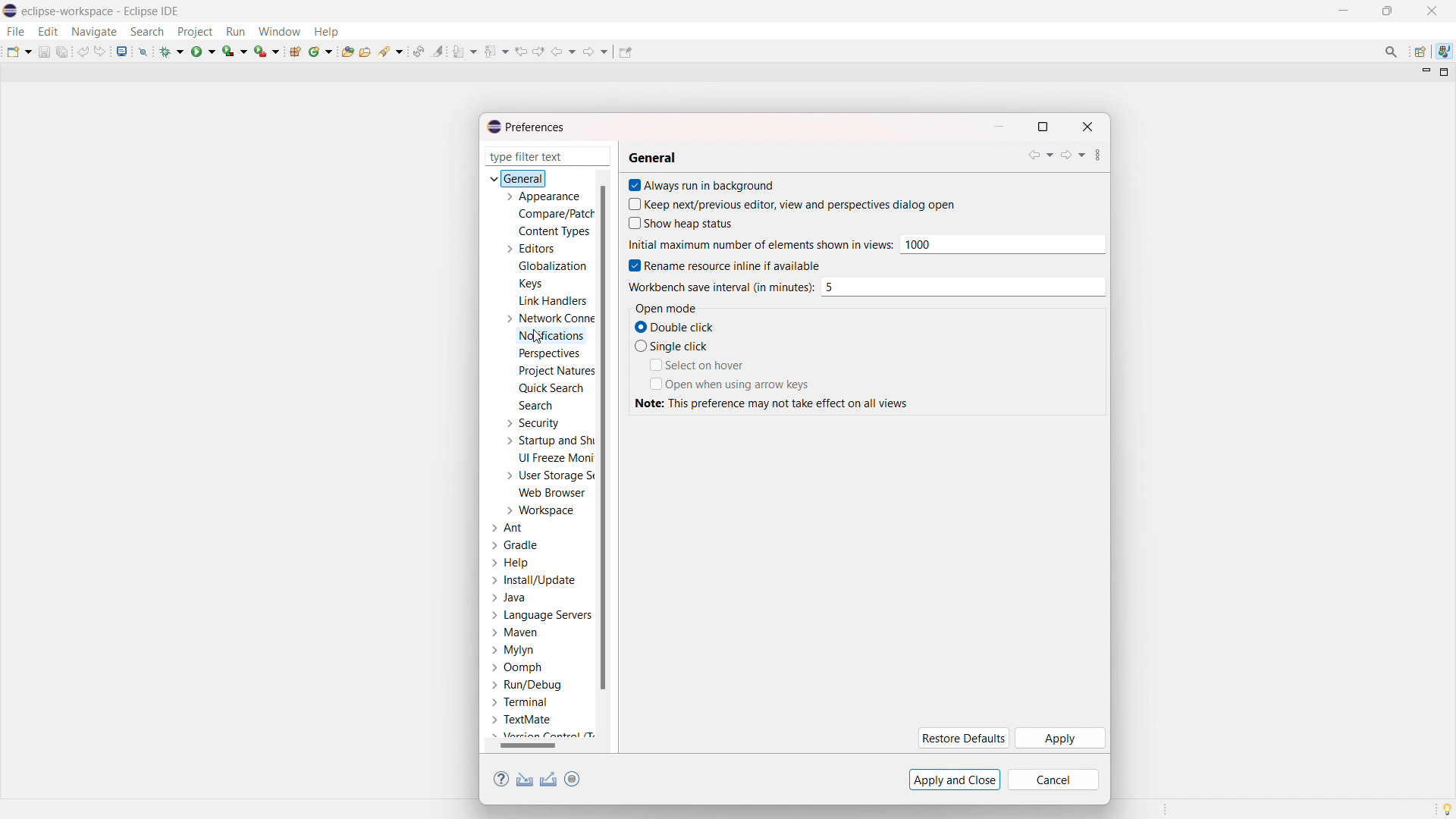  What do you see at coordinates (540, 338) in the screenshot?
I see `cursor` at bounding box center [540, 338].